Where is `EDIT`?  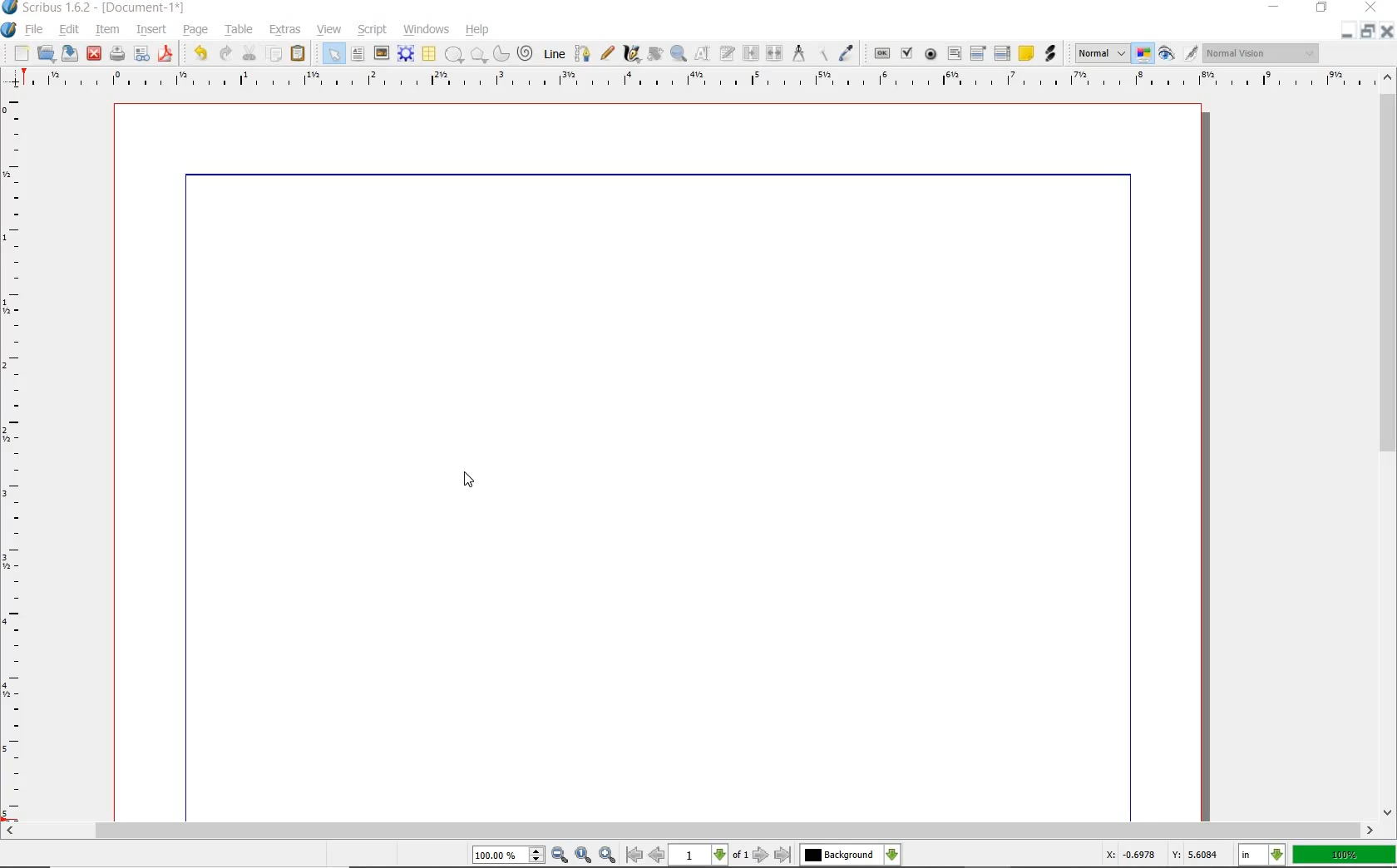 EDIT is located at coordinates (68, 31).